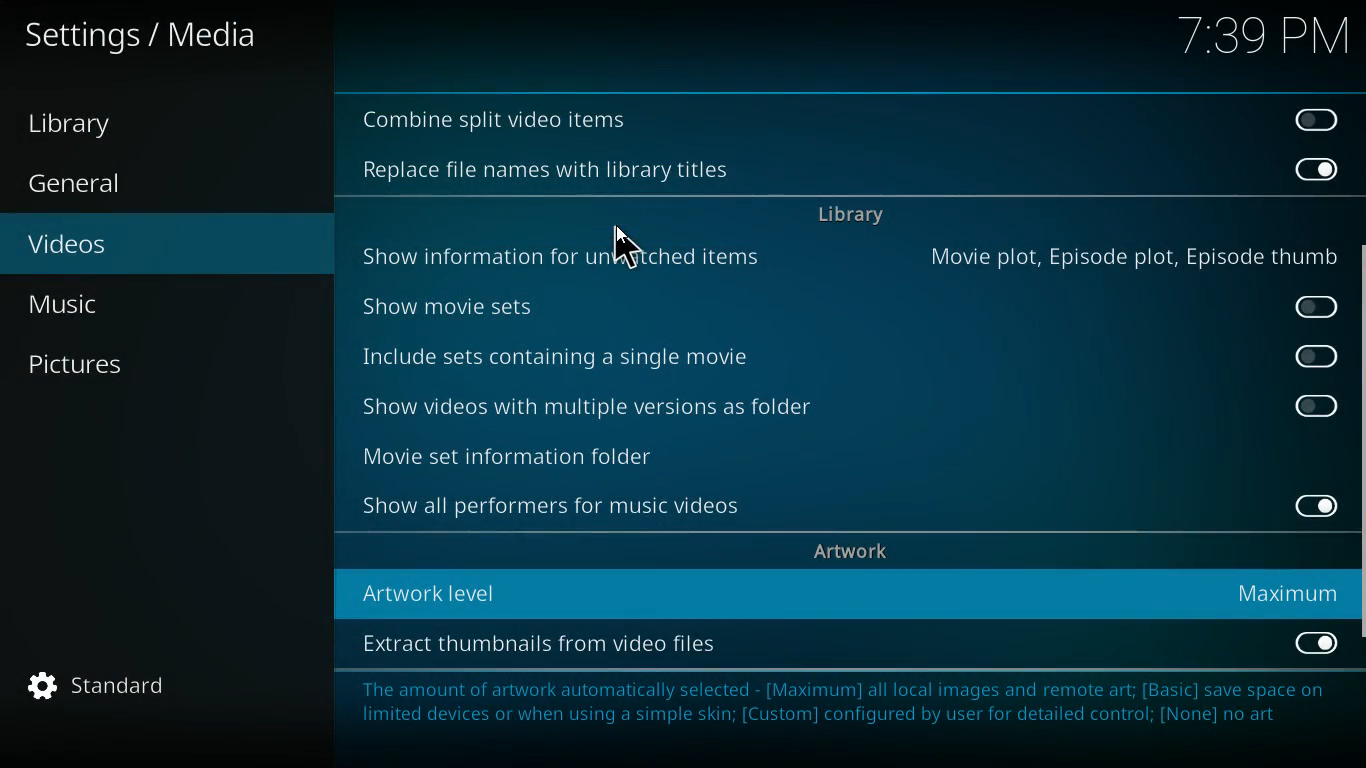 The width and height of the screenshot is (1366, 768). Describe the element at coordinates (1130, 256) in the screenshot. I see `movie plot, episode plot, episode thumb` at that location.